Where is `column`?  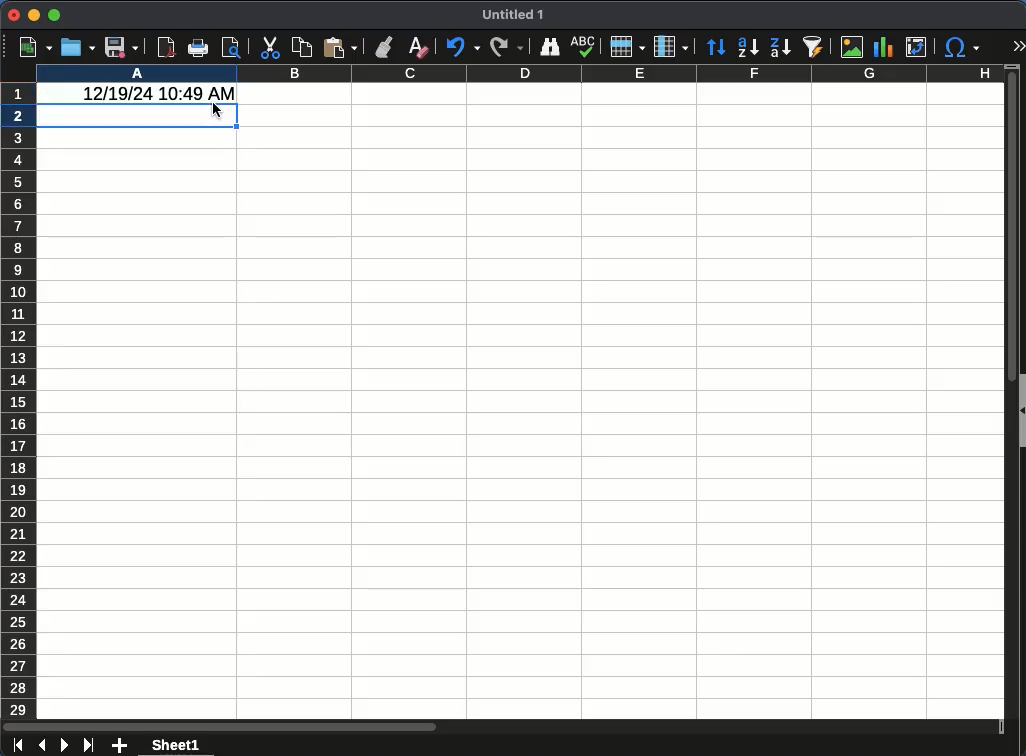 column is located at coordinates (671, 46).